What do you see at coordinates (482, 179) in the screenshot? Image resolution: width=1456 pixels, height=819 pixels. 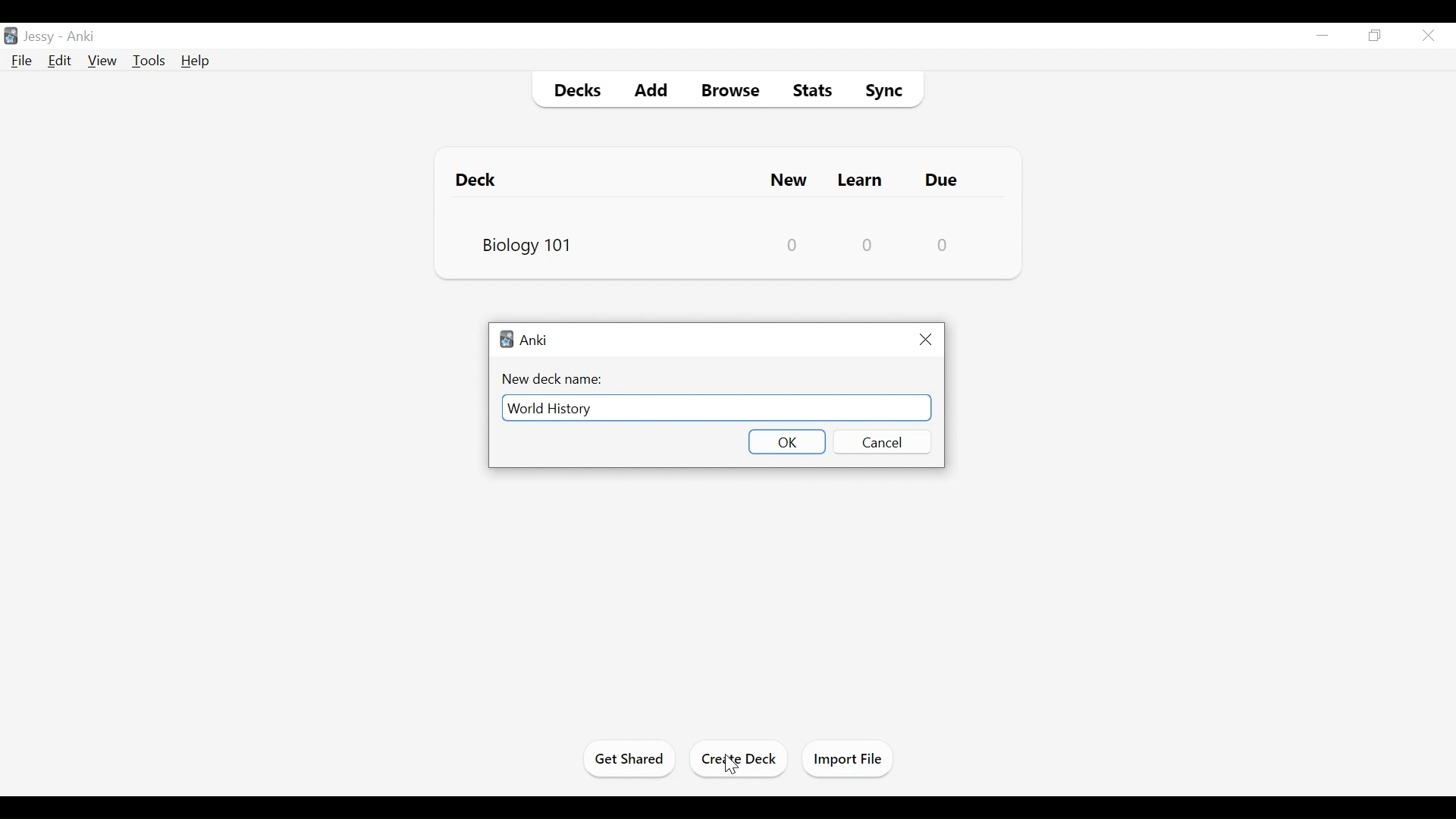 I see `Deck` at bounding box center [482, 179].